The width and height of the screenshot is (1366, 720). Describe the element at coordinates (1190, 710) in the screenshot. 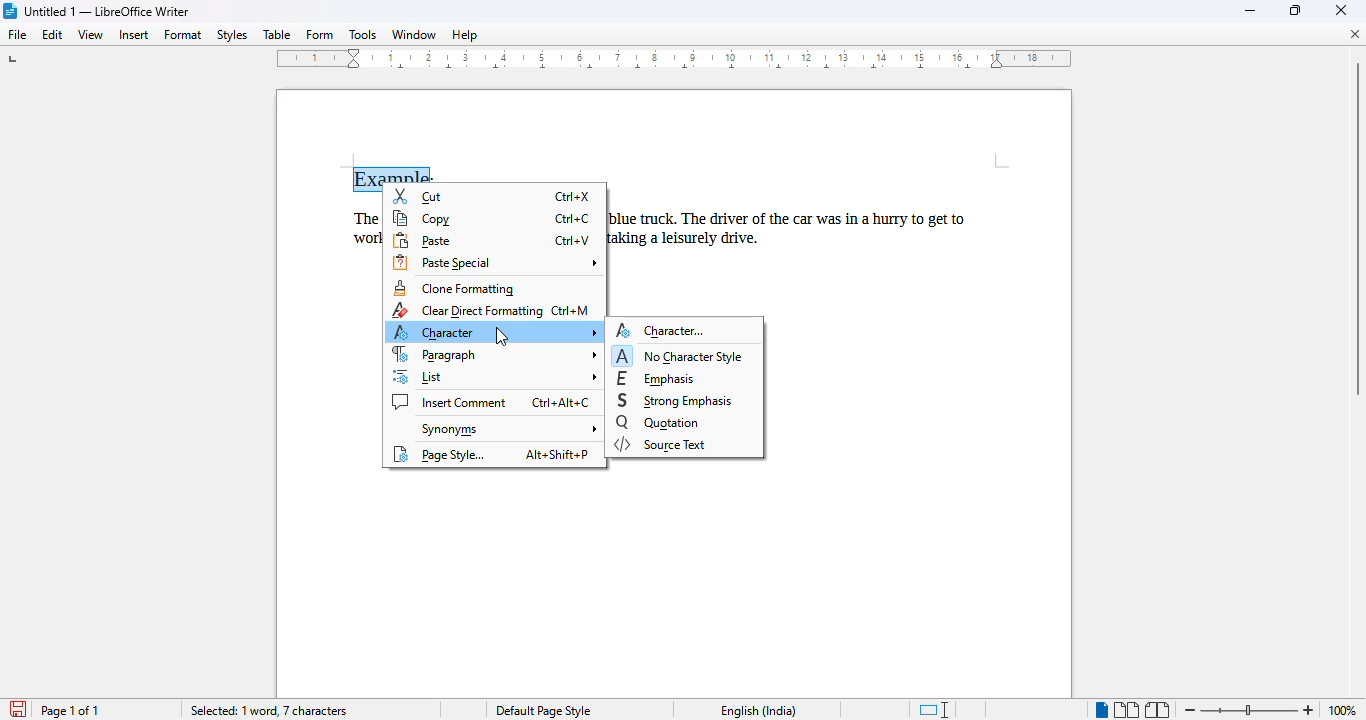

I see `zoom out` at that location.